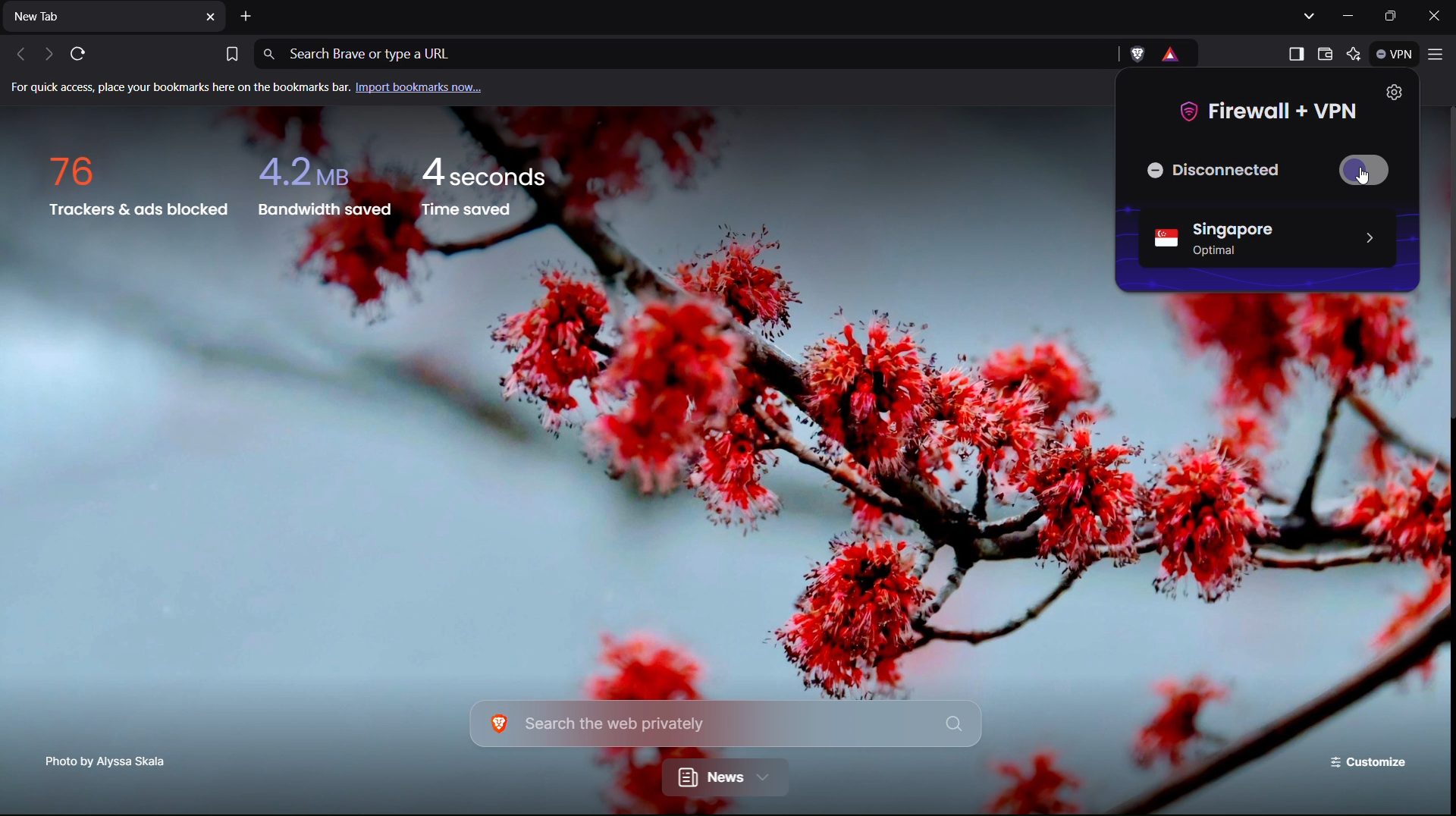  Describe the element at coordinates (84, 53) in the screenshot. I see `Refresh` at that location.